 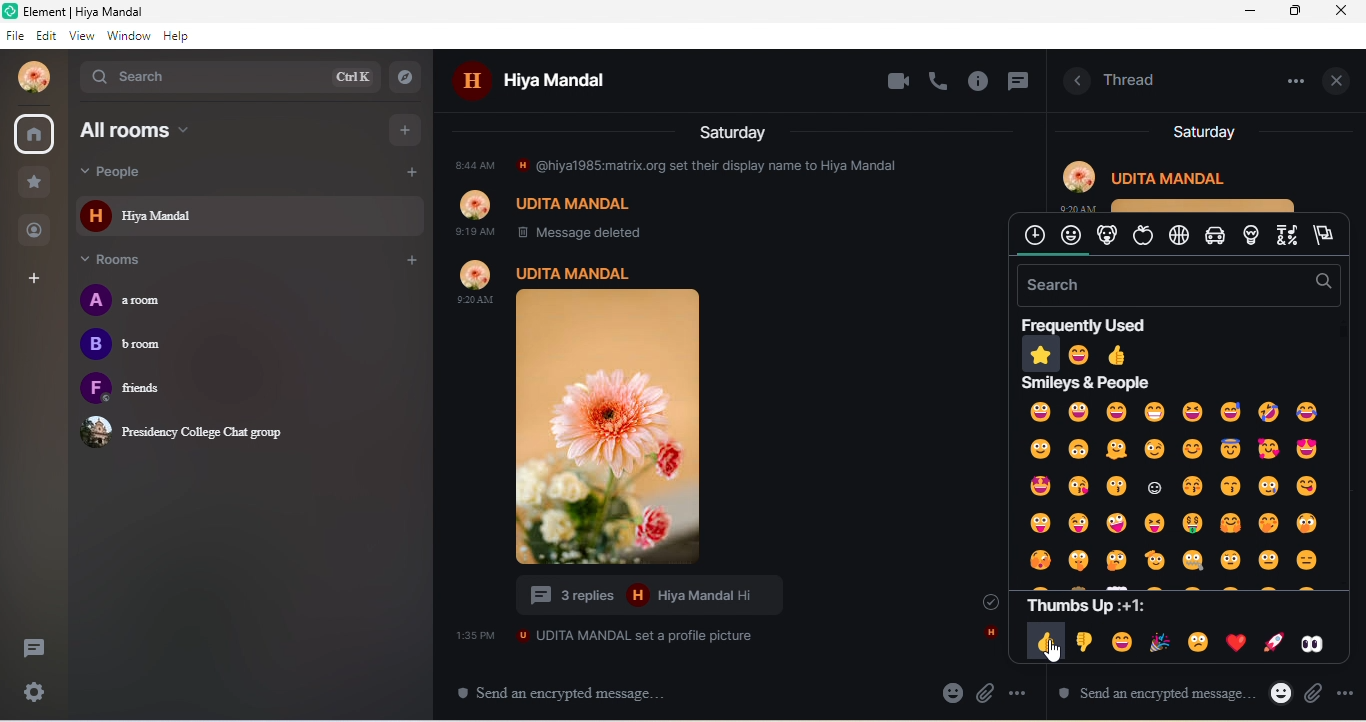 What do you see at coordinates (408, 174) in the screenshot?
I see `add` at bounding box center [408, 174].